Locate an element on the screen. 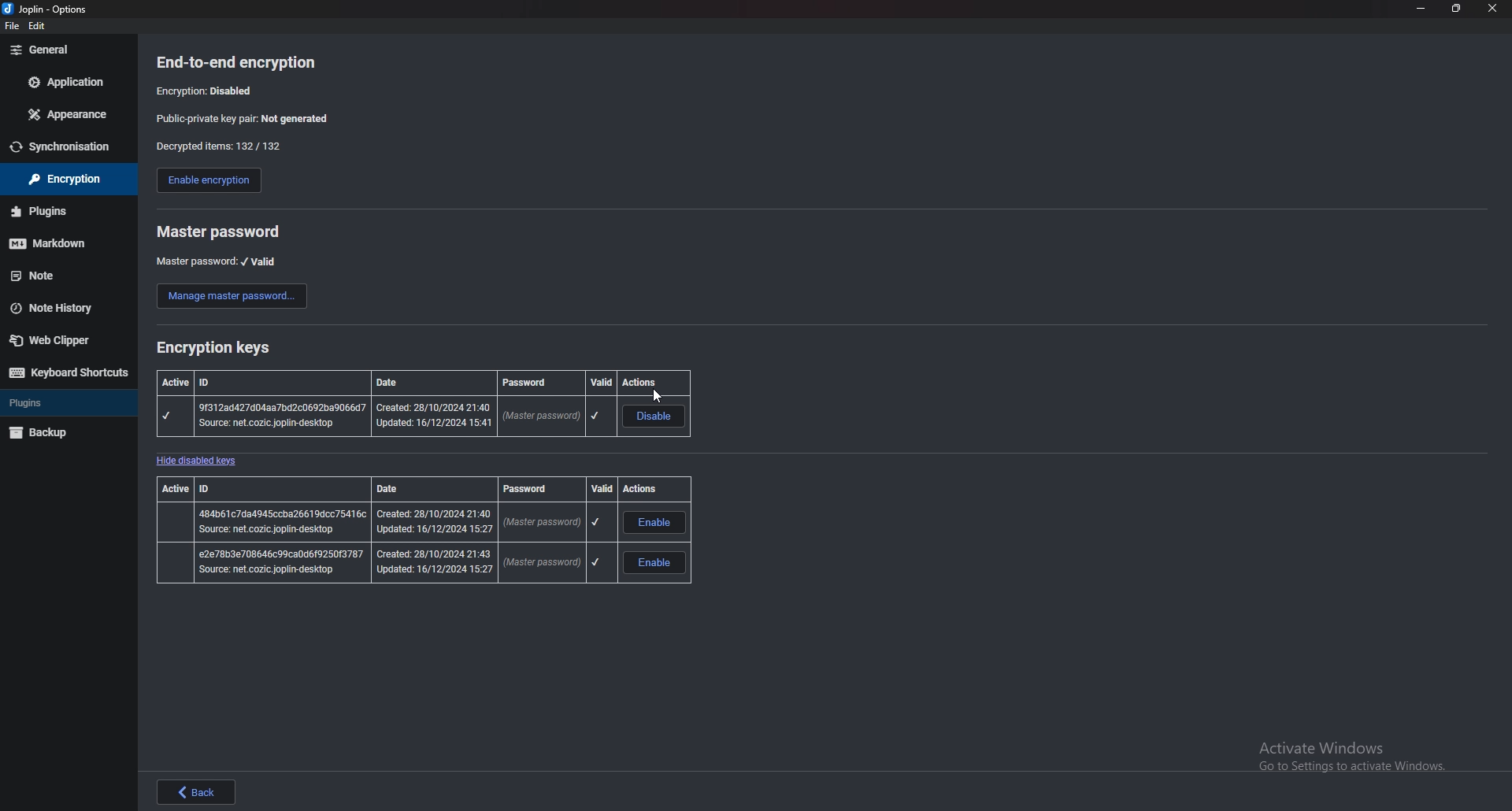 The width and height of the screenshot is (1512, 811). note history is located at coordinates (64, 308).